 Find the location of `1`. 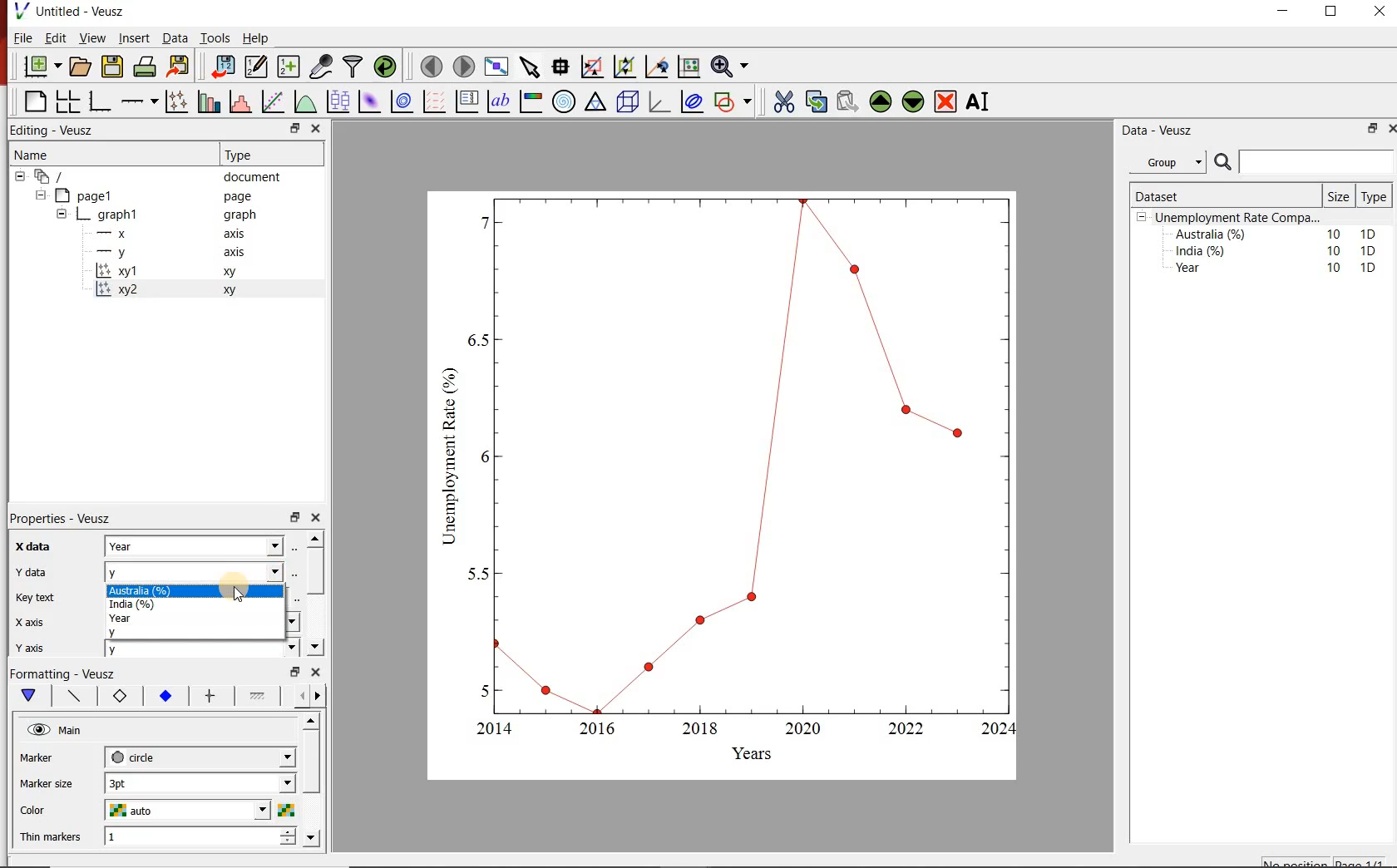

1 is located at coordinates (186, 837).